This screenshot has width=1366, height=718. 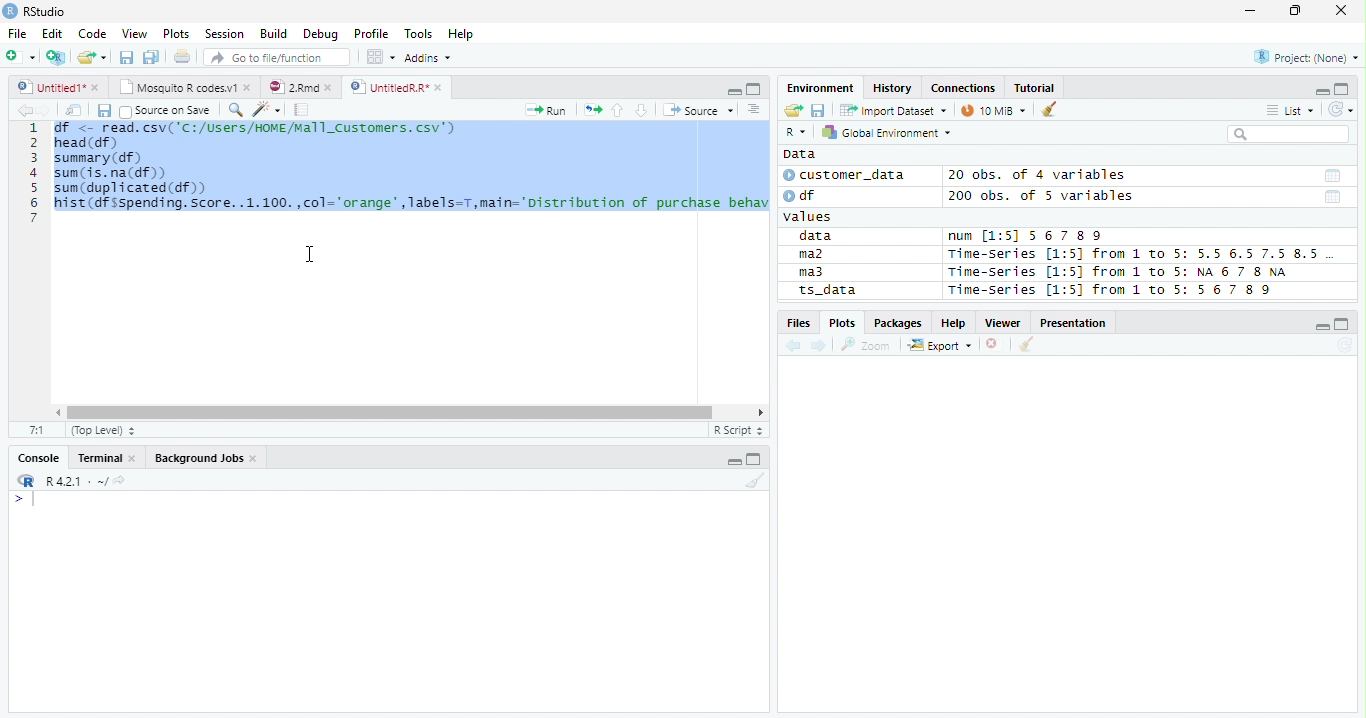 What do you see at coordinates (1345, 346) in the screenshot?
I see `Refresh` at bounding box center [1345, 346].